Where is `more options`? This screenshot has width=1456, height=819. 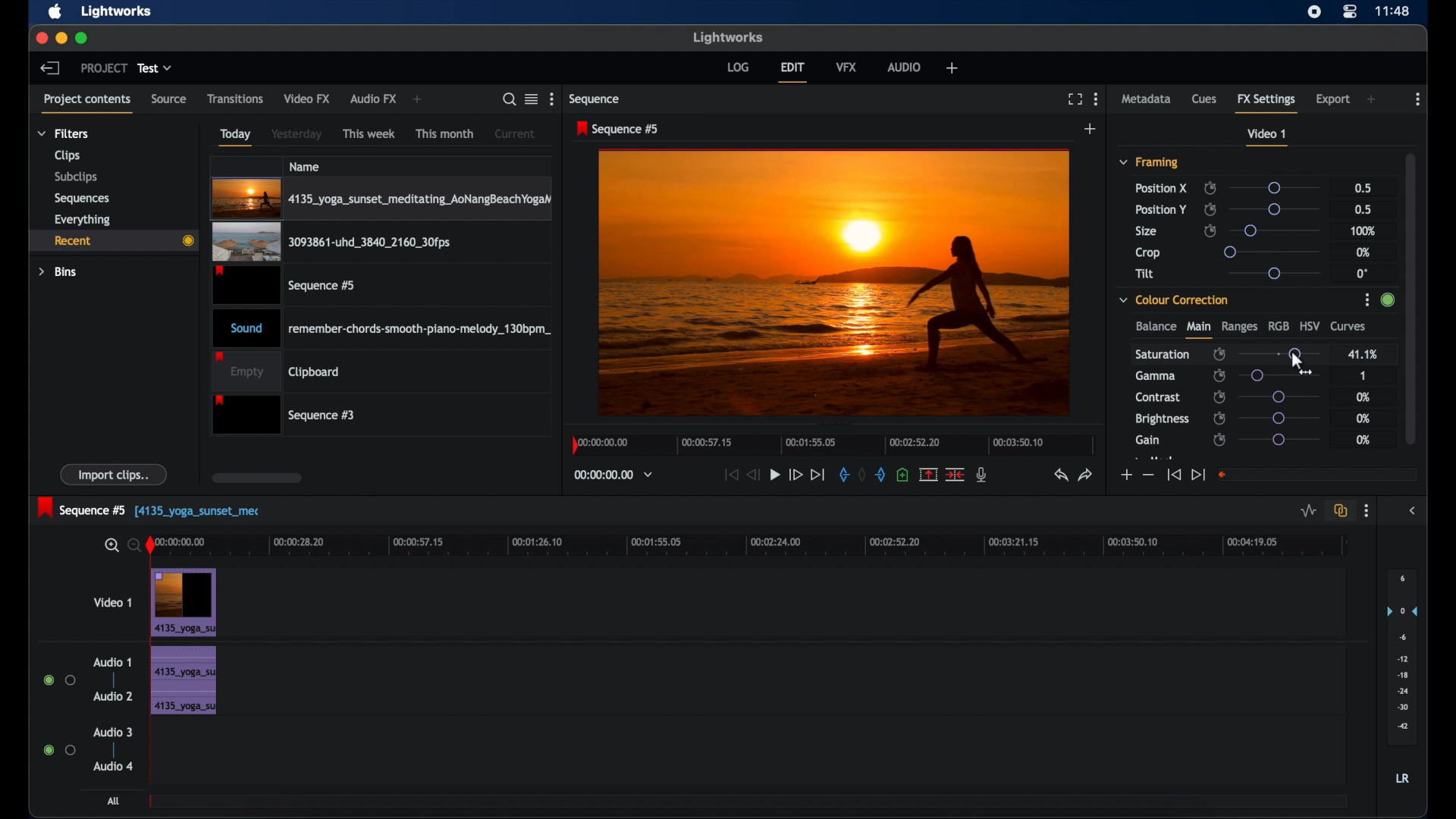
more options is located at coordinates (551, 99).